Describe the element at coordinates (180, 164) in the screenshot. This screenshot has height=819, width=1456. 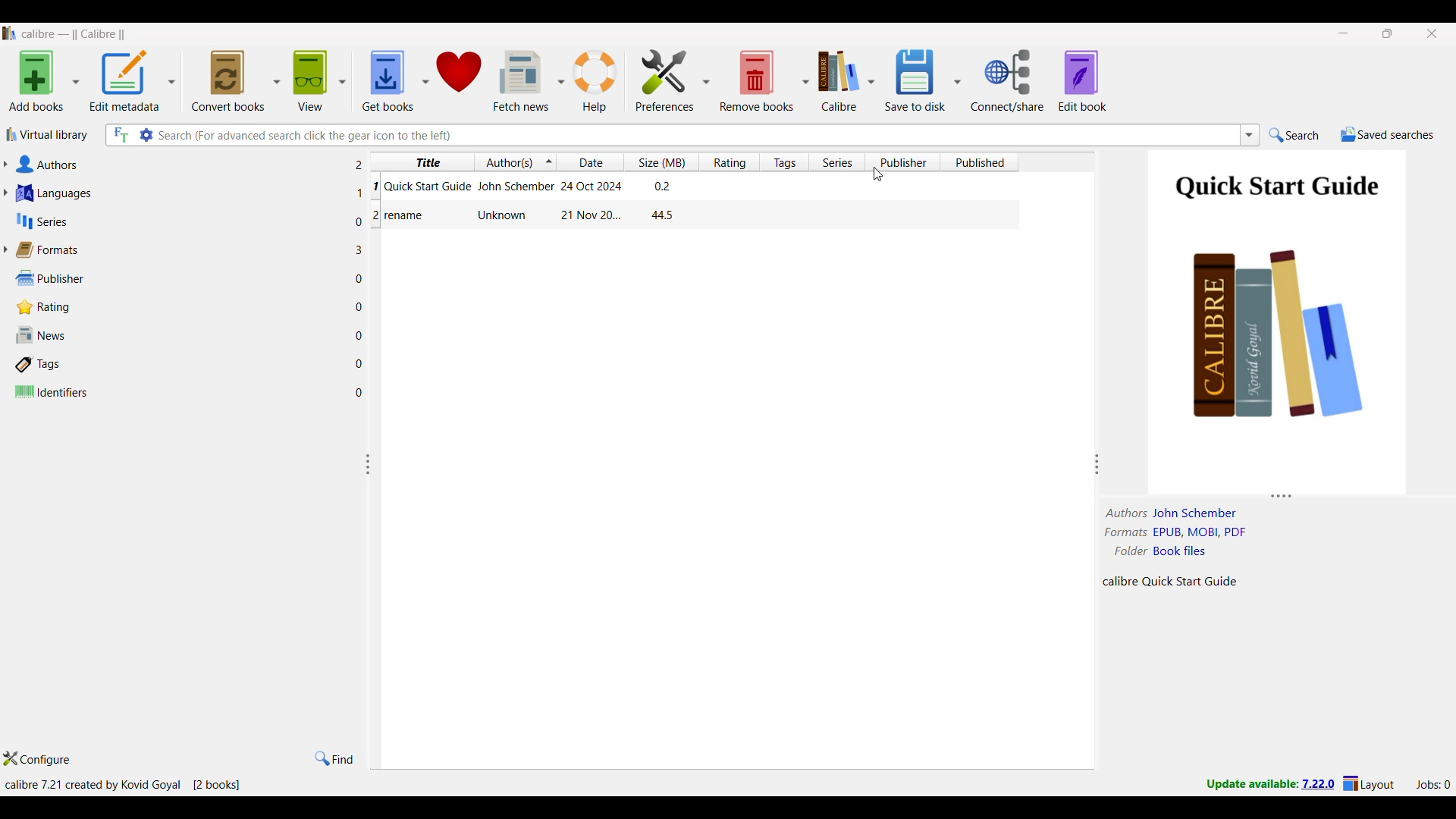
I see `Authors` at that location.